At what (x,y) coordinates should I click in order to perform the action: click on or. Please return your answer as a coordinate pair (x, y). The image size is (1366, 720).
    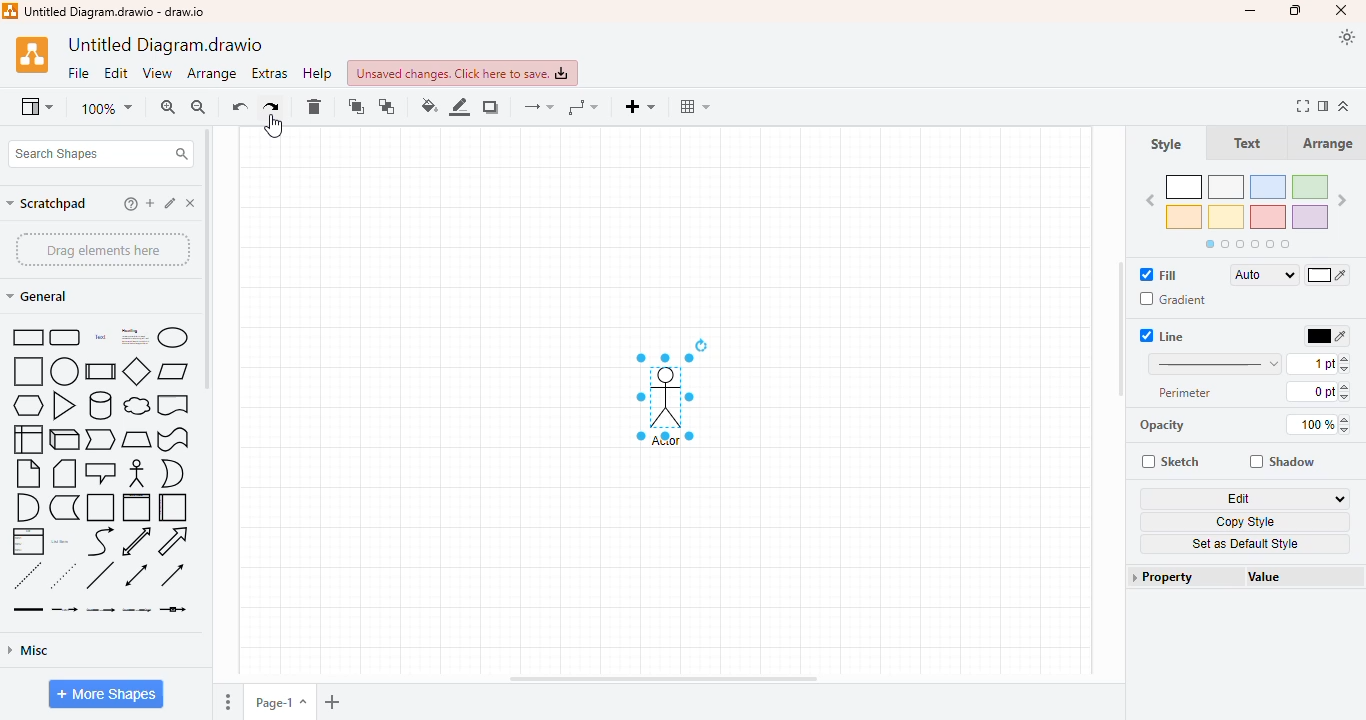
    Looking at the image, I should click on (172, 473).